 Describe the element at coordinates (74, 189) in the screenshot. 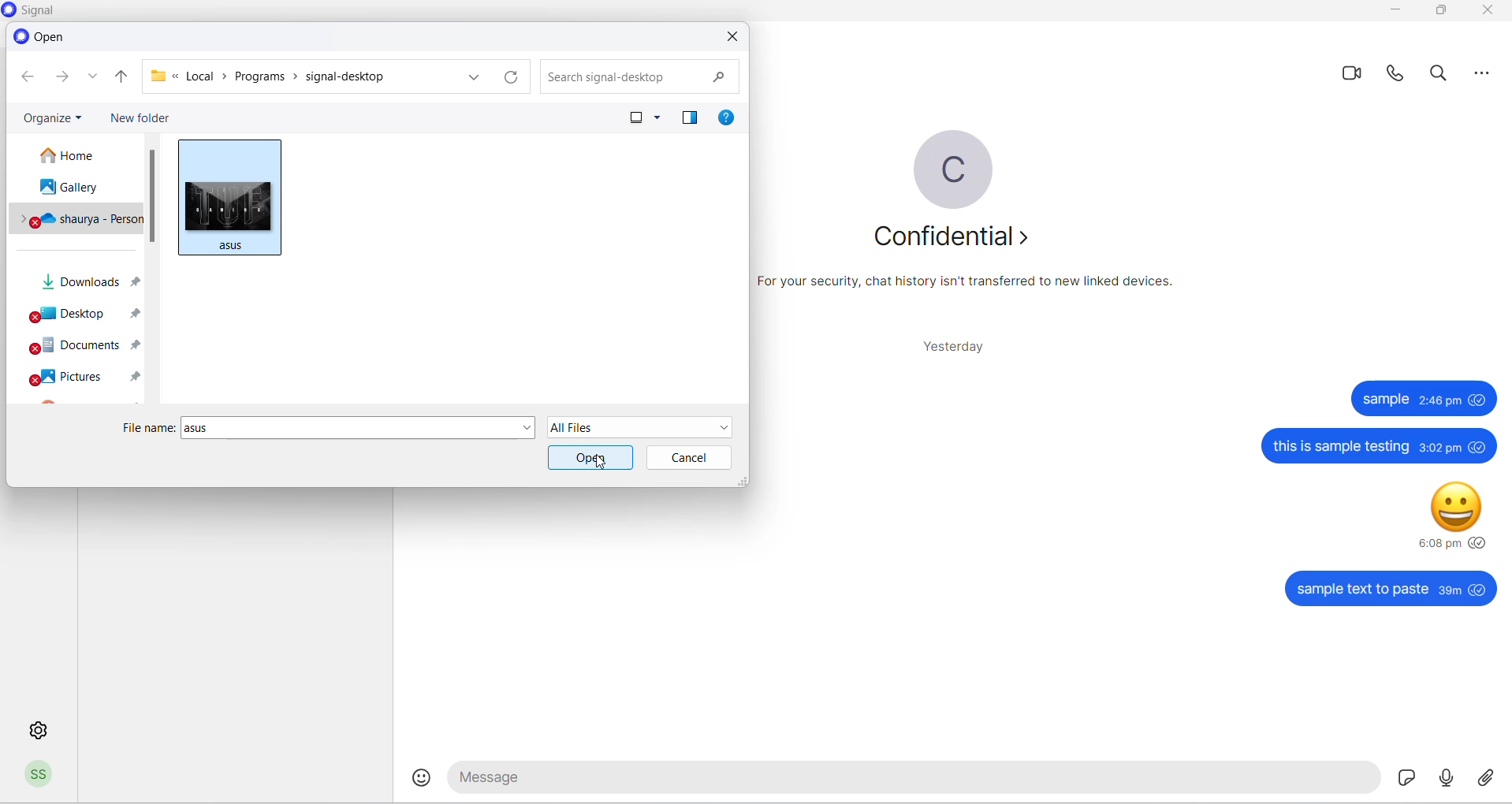

I see `gallery` at that location.